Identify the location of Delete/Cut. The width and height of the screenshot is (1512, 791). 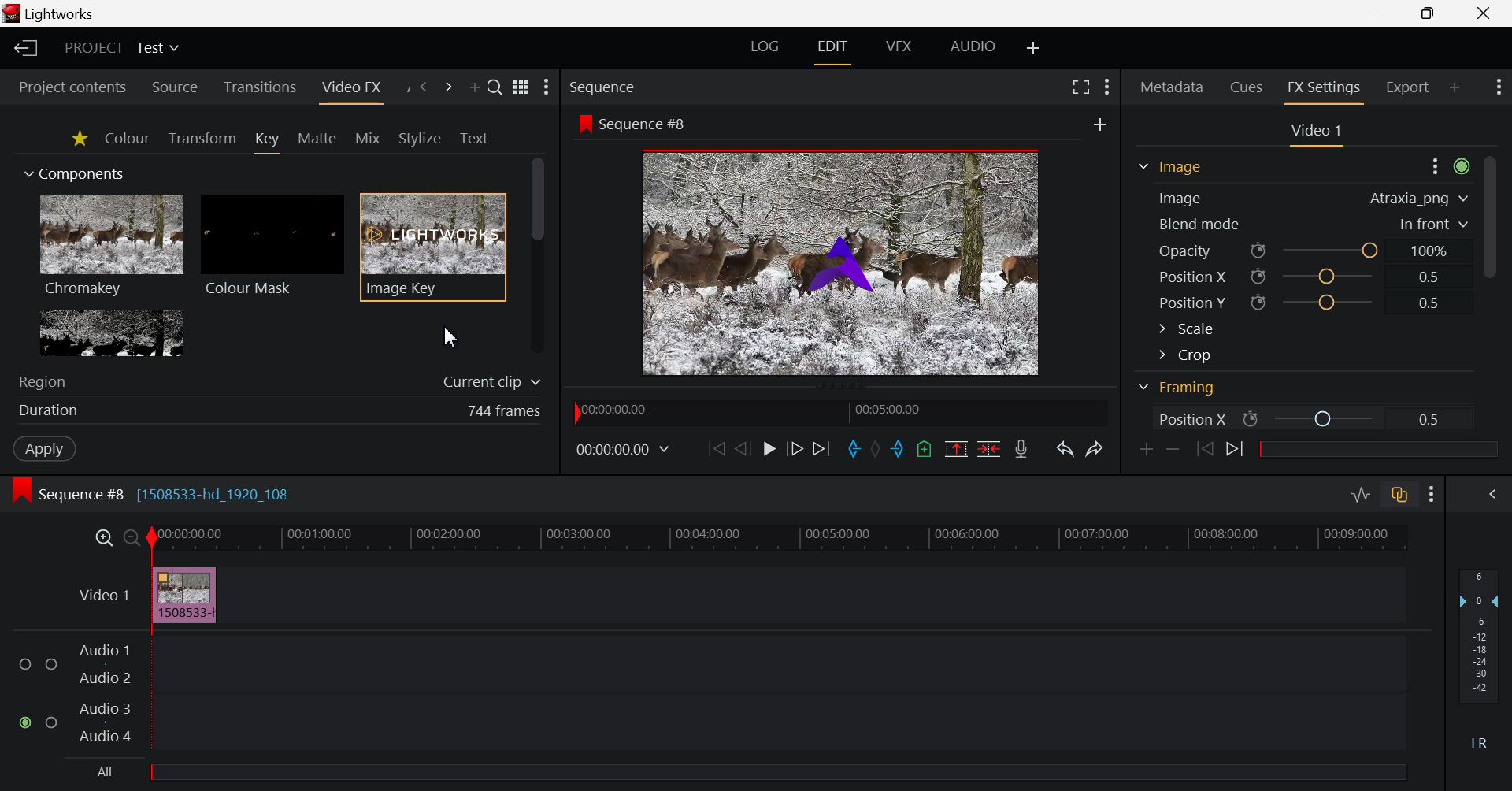
(988, 448).